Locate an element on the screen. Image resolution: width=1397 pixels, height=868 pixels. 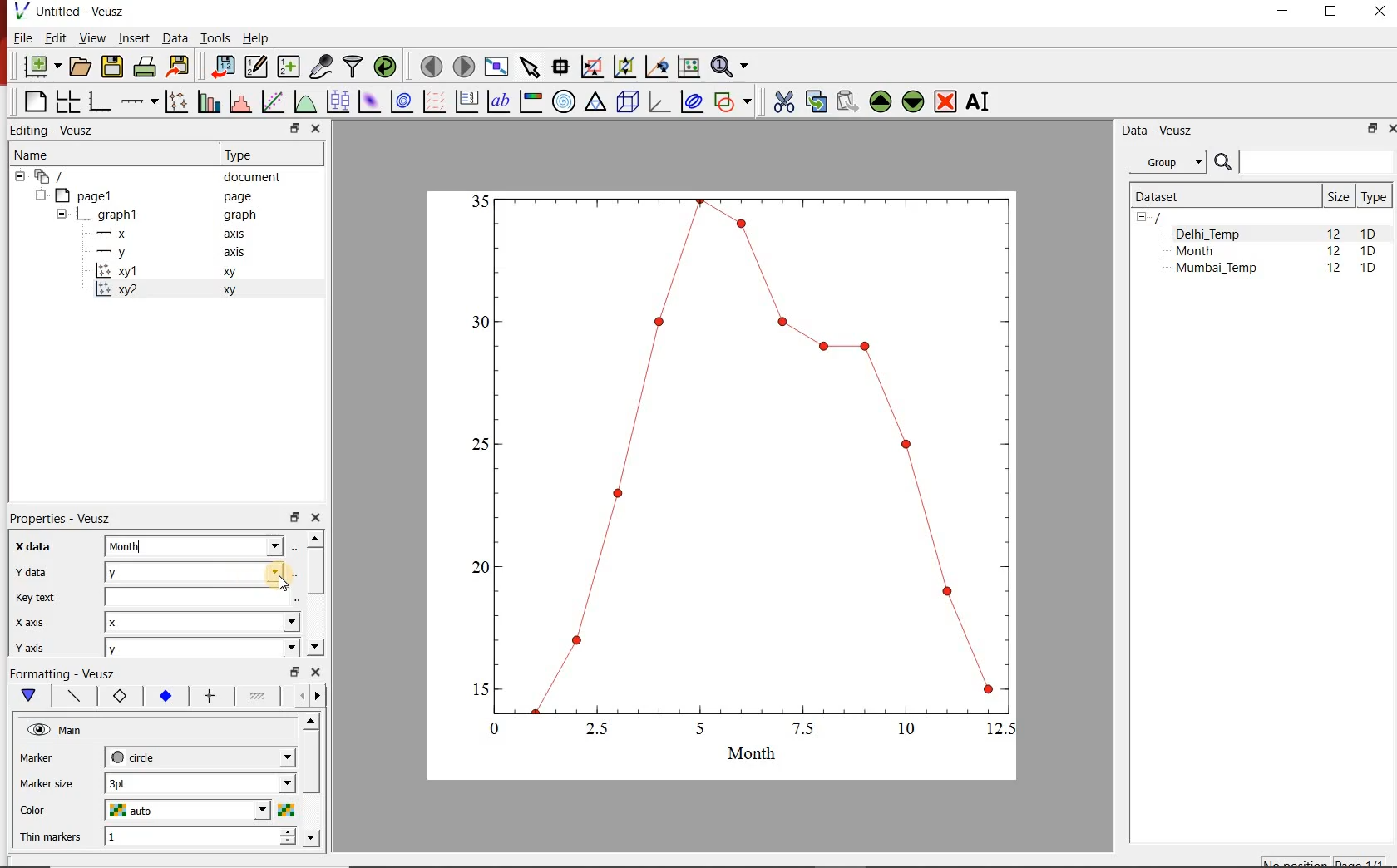
x-data is located at coordinates (35, 546).